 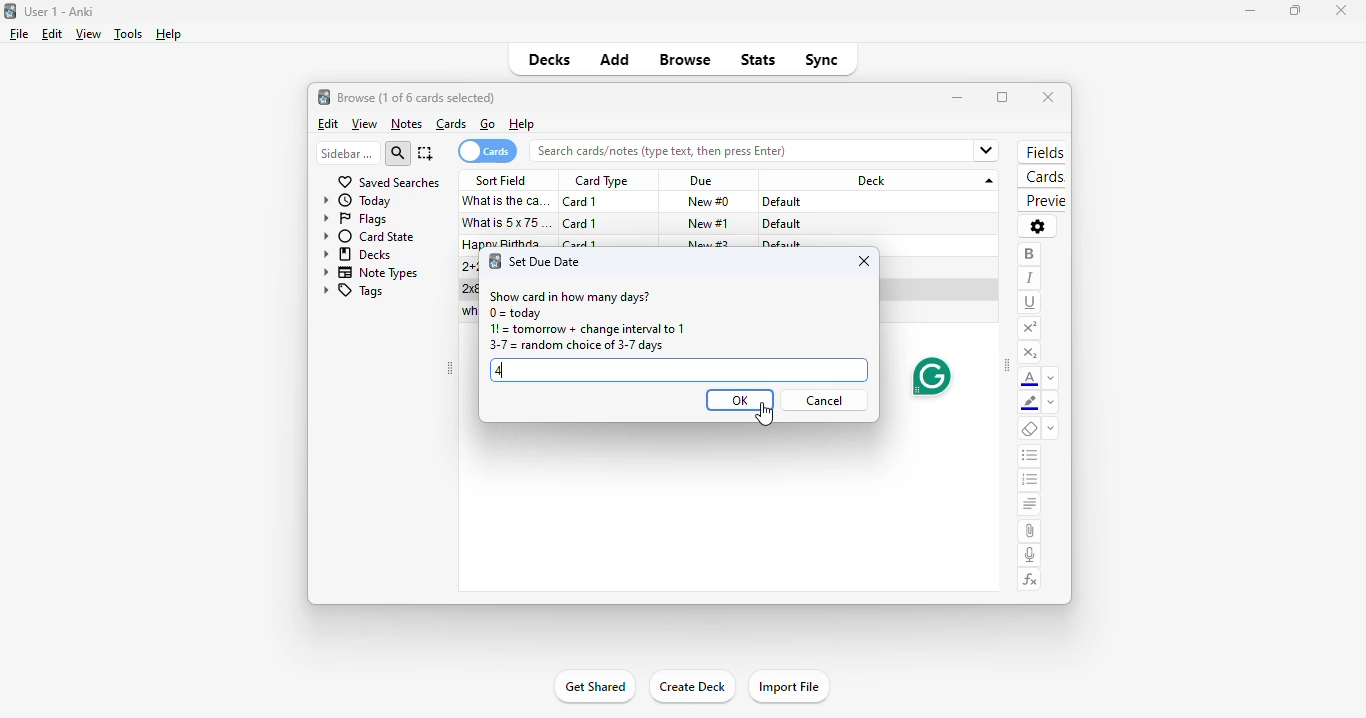 What do you see at coordinates (546, 261) in the screenshot?
I see `set due date` at bounding box center [546, 261].